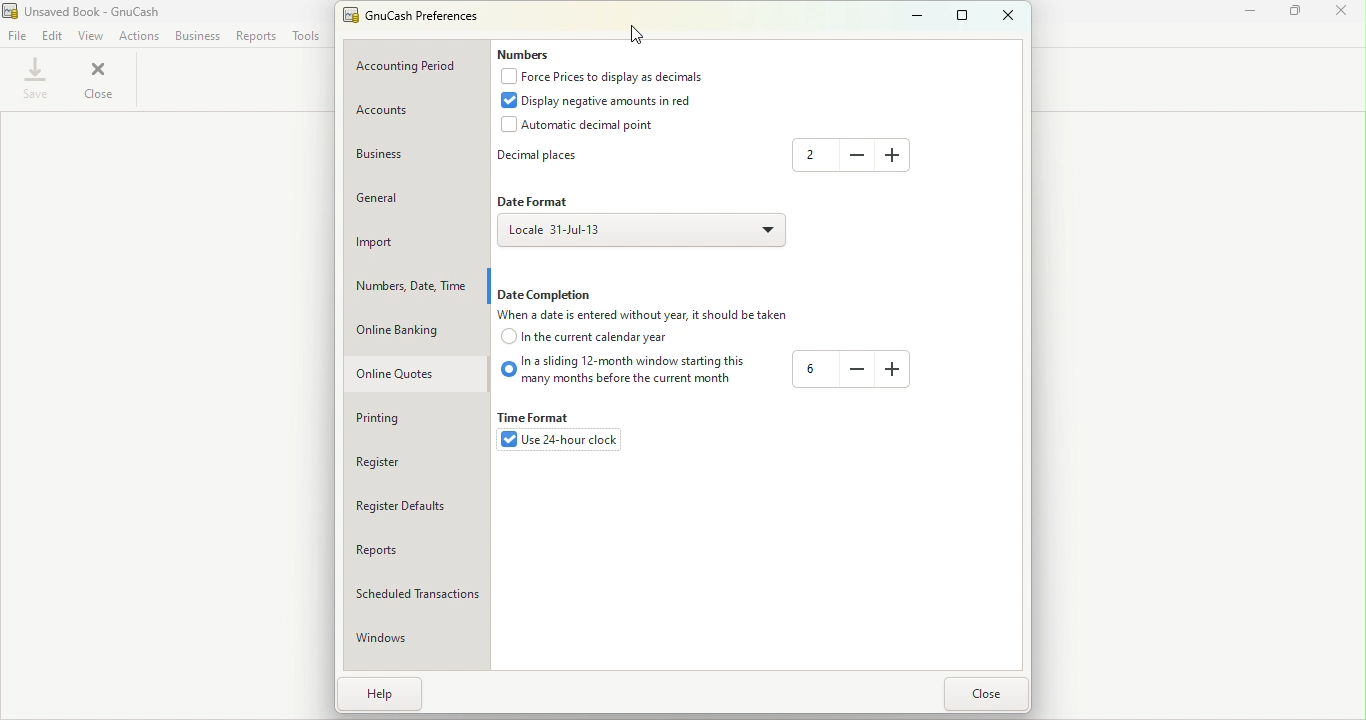 This screenshot has height=720, width=1366. I want to click on Date completion, so click(545, 294).